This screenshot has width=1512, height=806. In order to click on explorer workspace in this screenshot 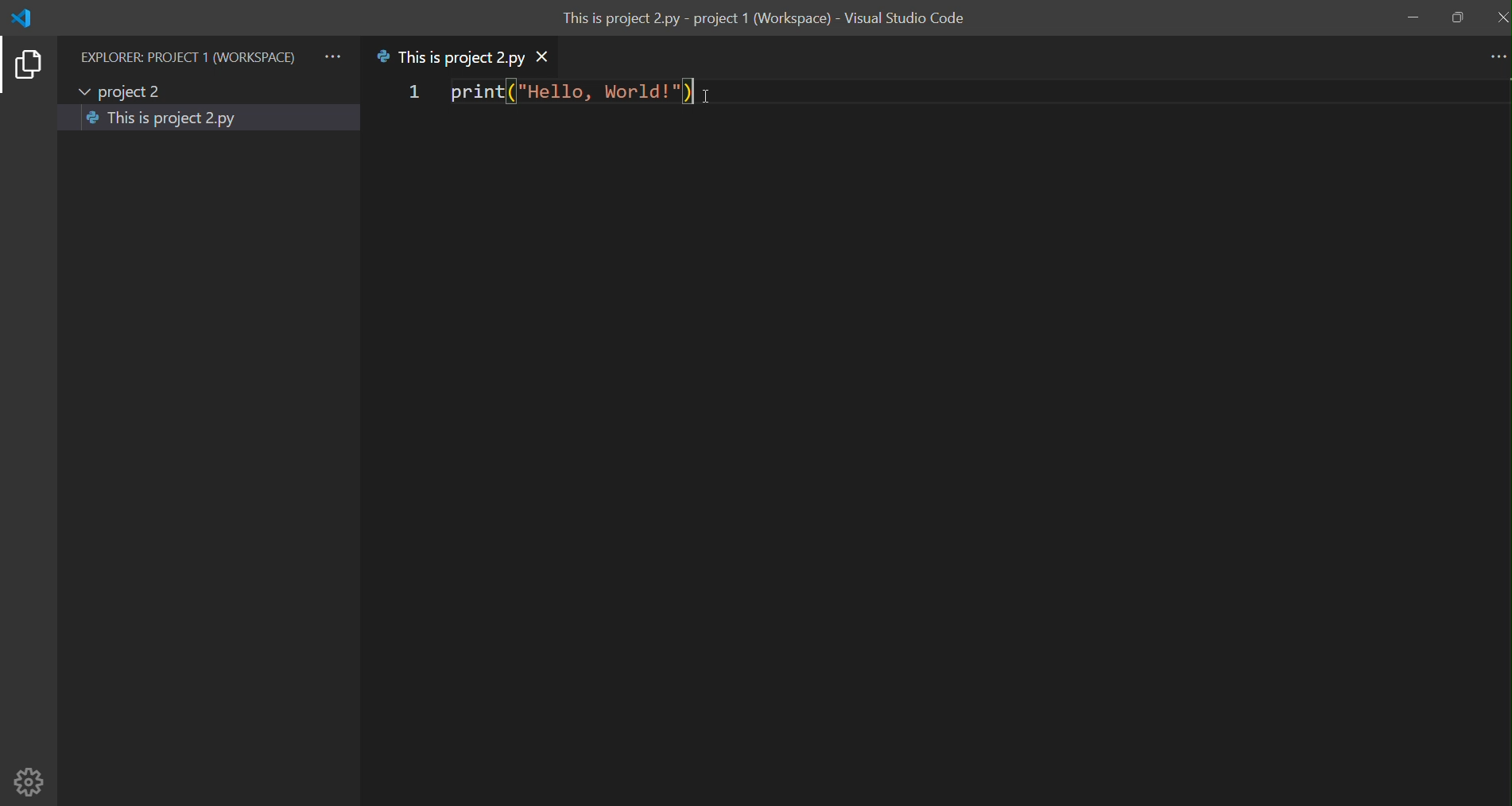, I will do `click(188, 56)`.